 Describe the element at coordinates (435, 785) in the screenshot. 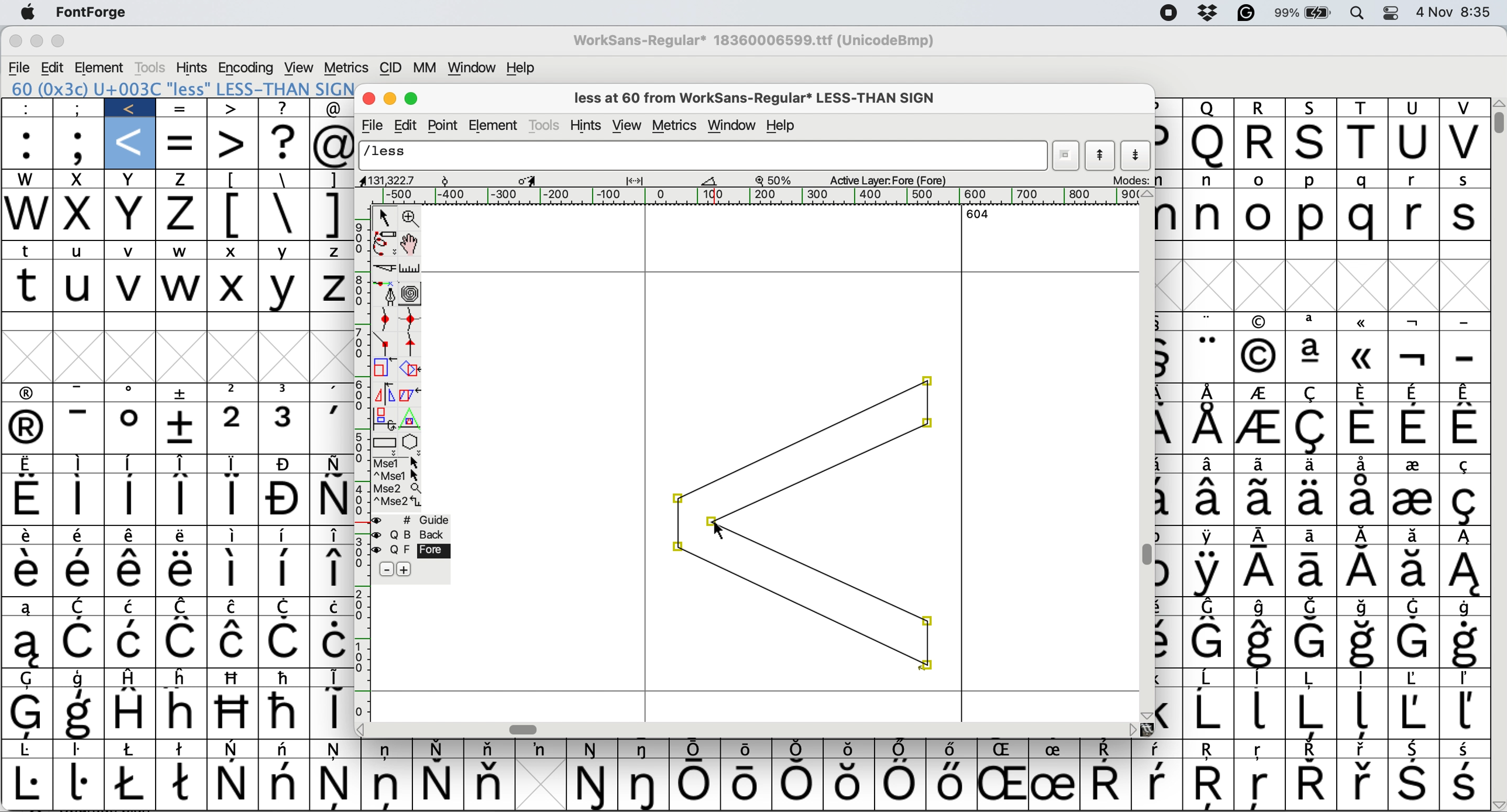

I see `Symbol` at that location.